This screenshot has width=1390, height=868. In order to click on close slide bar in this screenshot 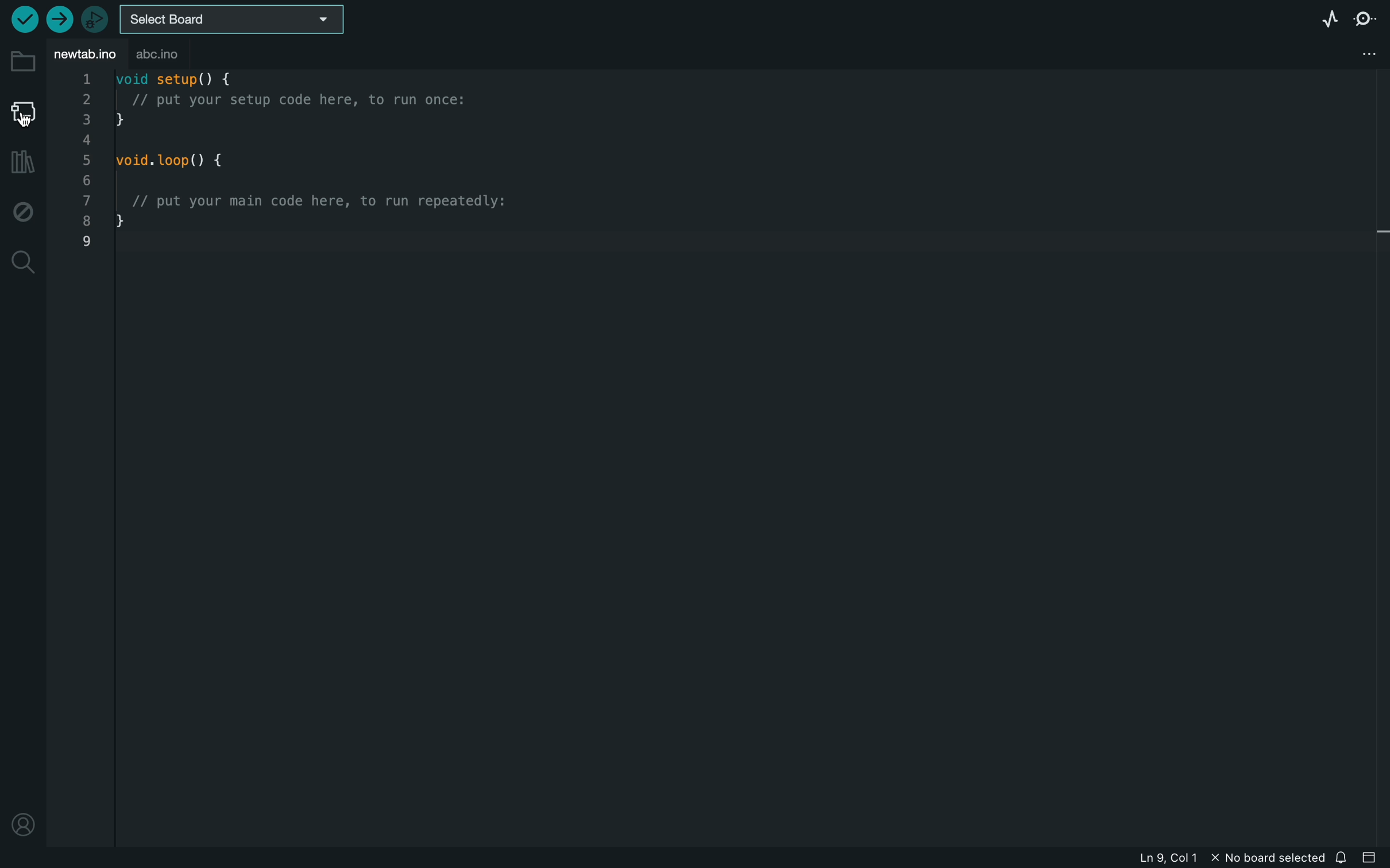, I will do `click(1373, 858)`.